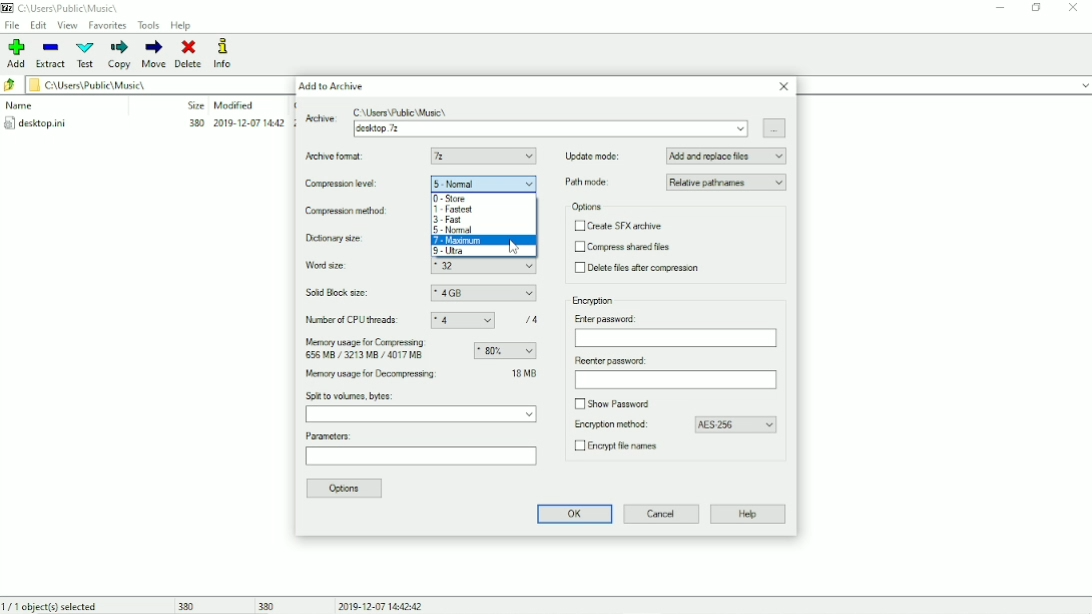  I want to click on 380, so click(184, 606).